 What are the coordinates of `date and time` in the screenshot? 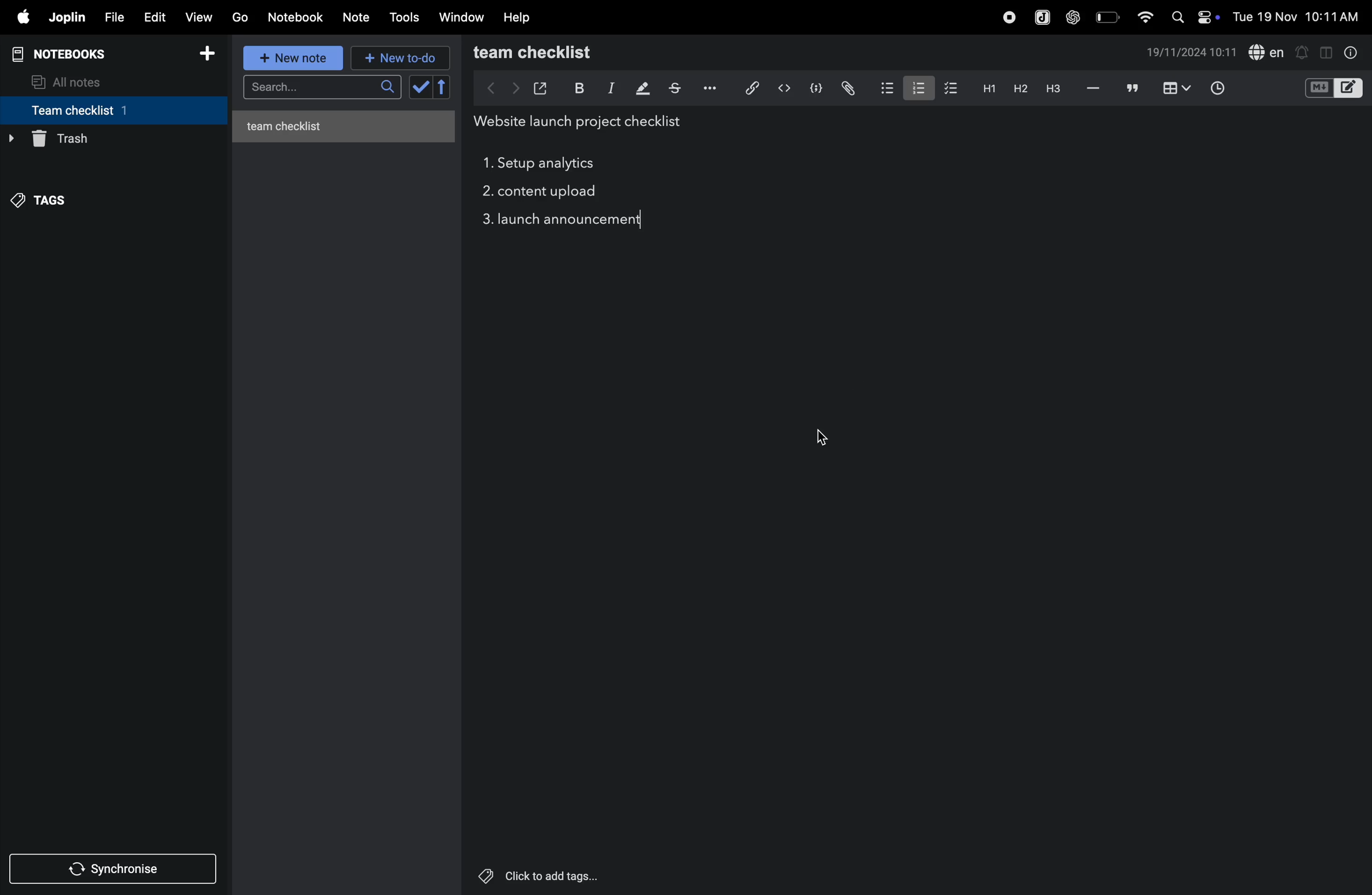 It's located at (1192, 54).